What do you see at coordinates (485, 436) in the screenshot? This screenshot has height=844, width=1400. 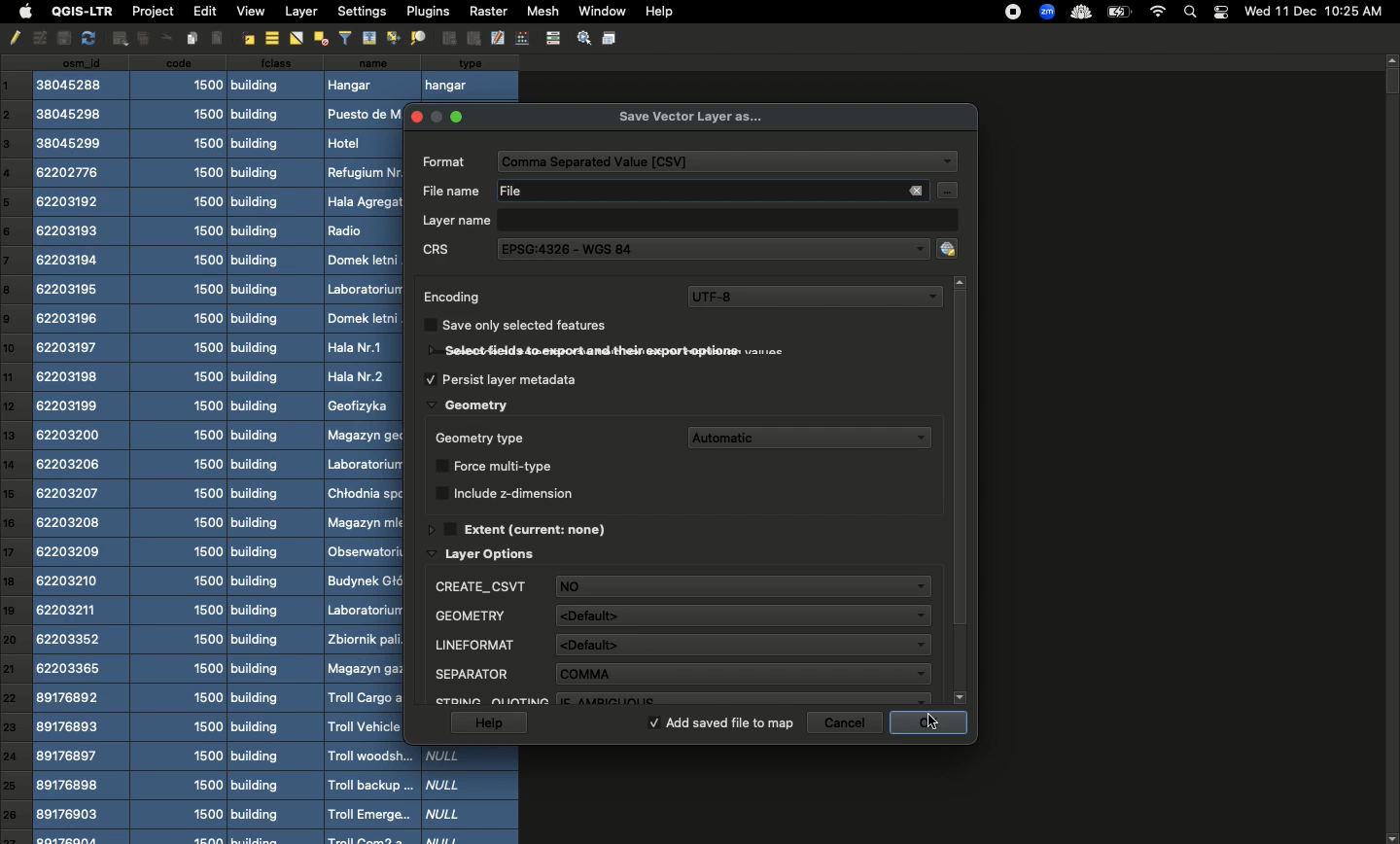 I see `Geometry type` at bounding box center [485, 436].